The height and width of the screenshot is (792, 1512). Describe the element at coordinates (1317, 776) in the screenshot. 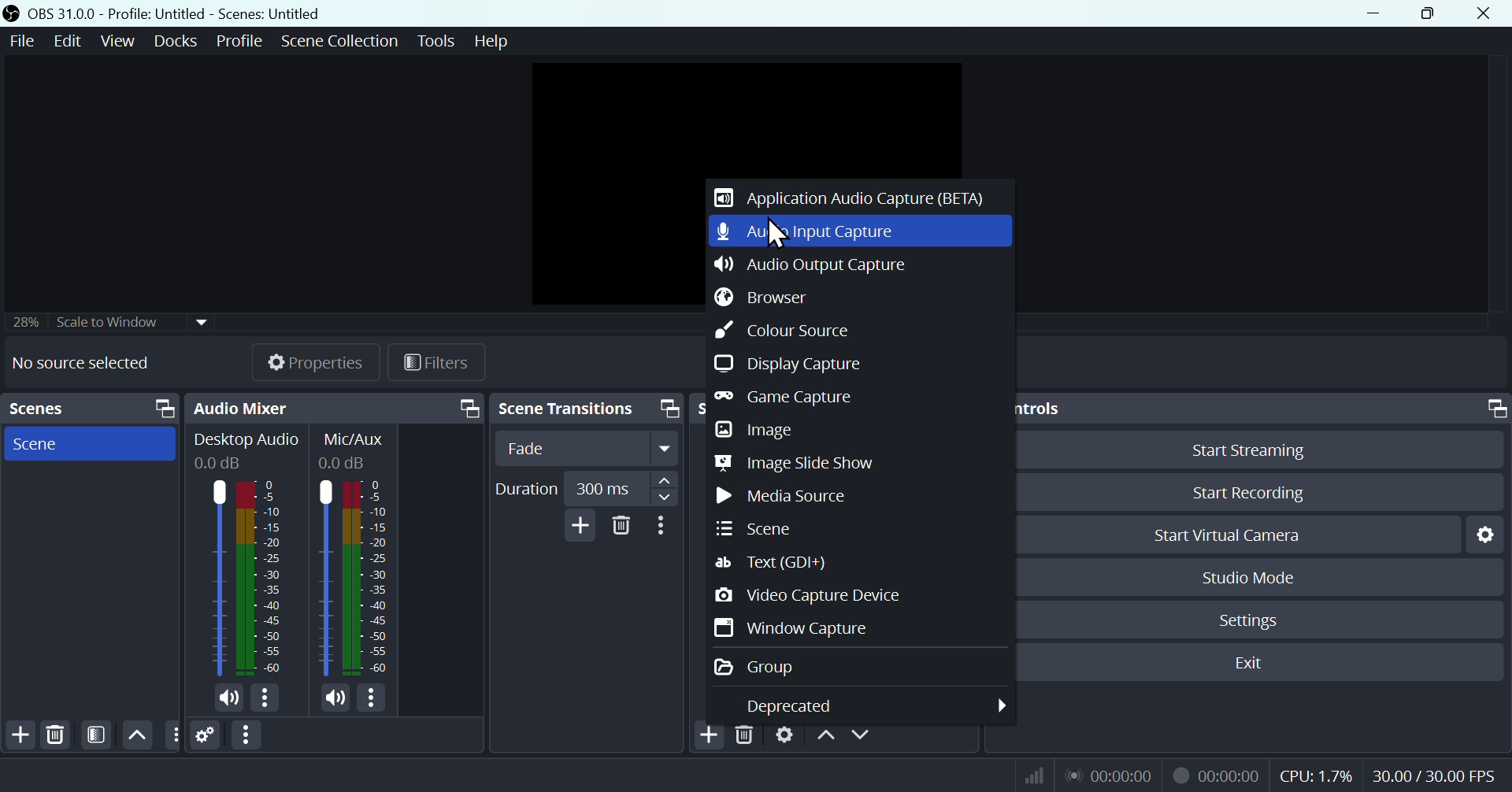

I see `CPU Usage` at that location.